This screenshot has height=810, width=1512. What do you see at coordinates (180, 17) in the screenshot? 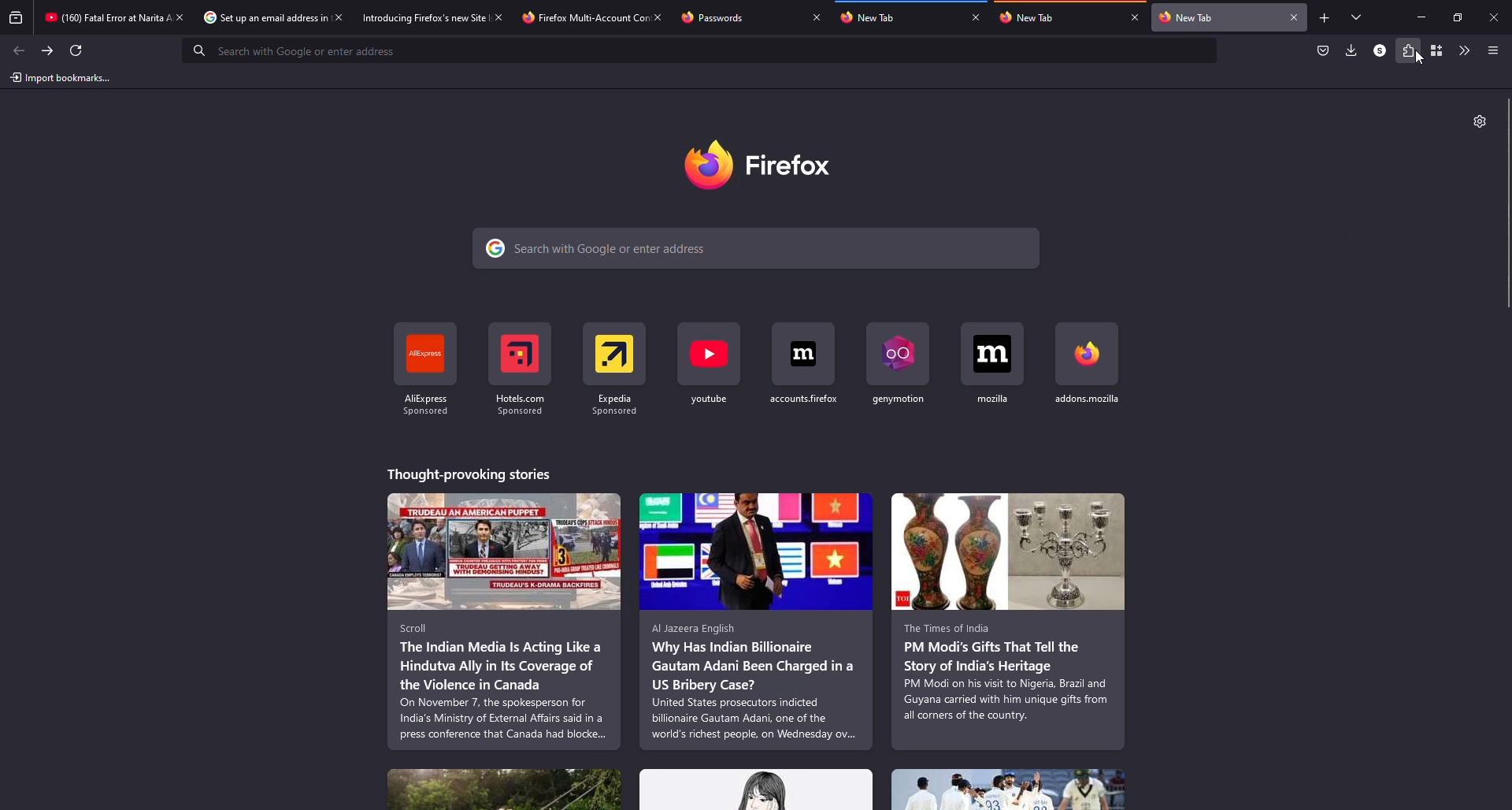
I see `close` at bounding box center [180, 17].